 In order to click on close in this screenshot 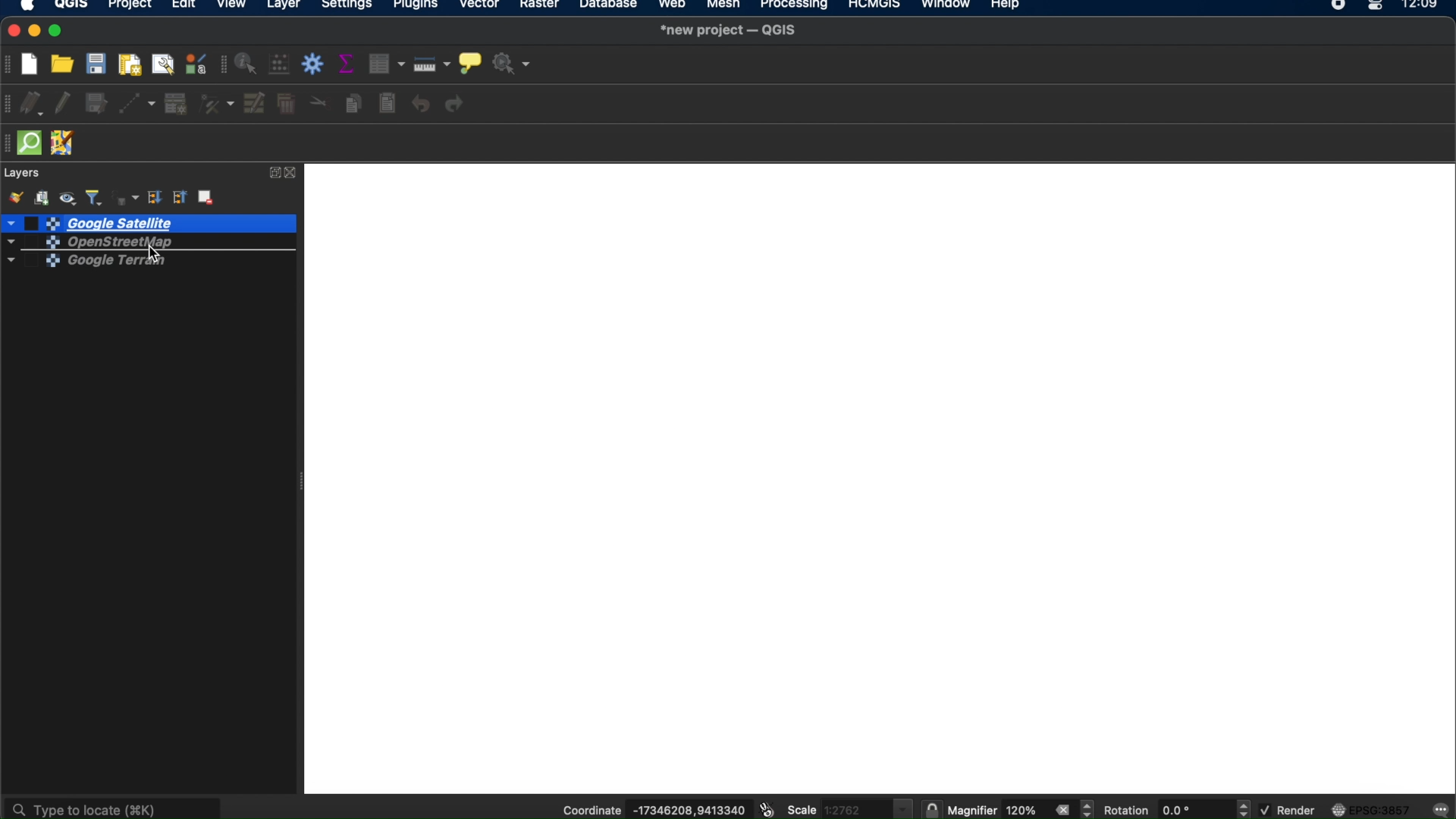, I will do `click(11, 31)`.